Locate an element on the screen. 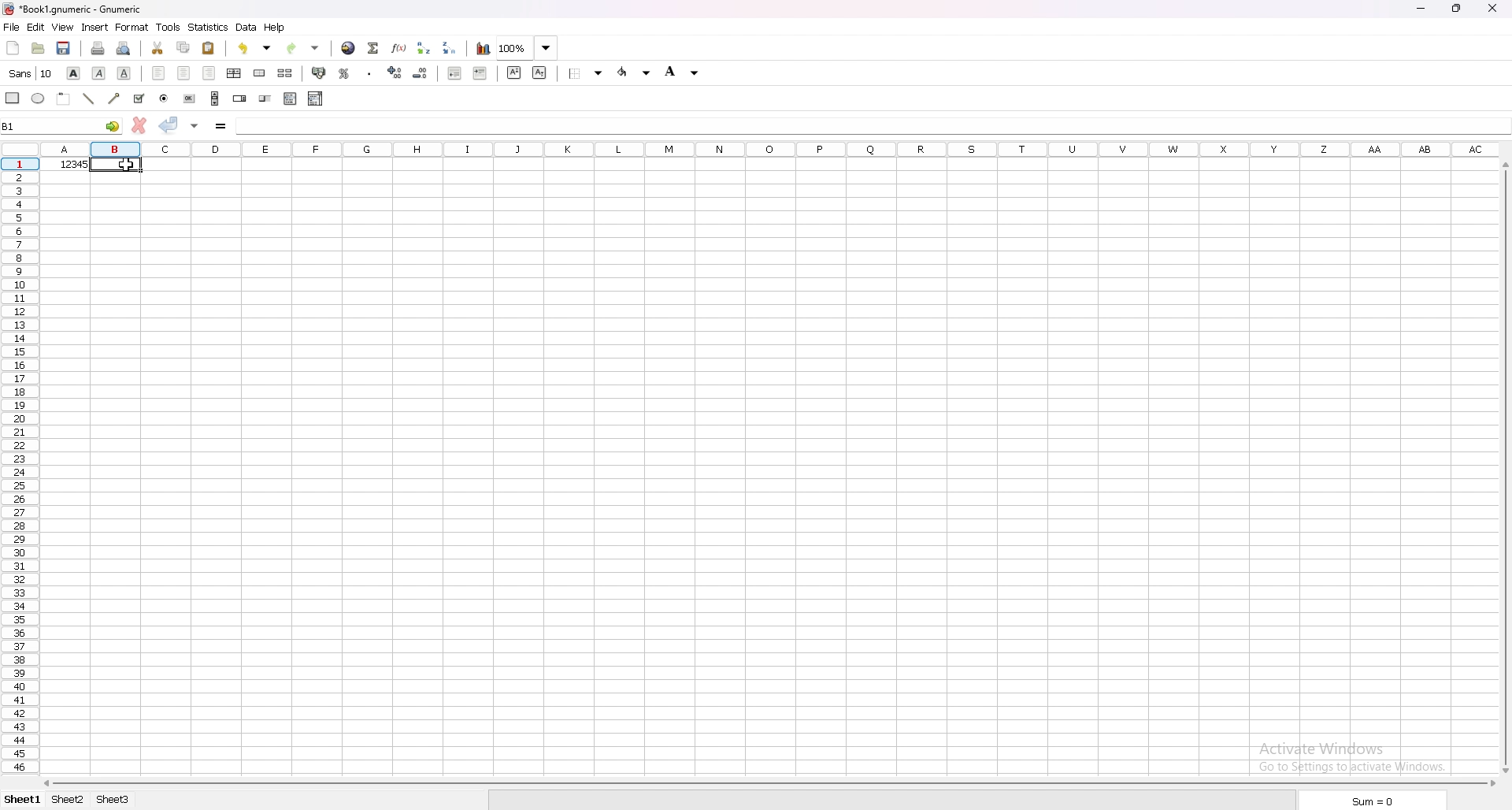 The image size is (1512, 810). border is located at coordinates (586, 73).